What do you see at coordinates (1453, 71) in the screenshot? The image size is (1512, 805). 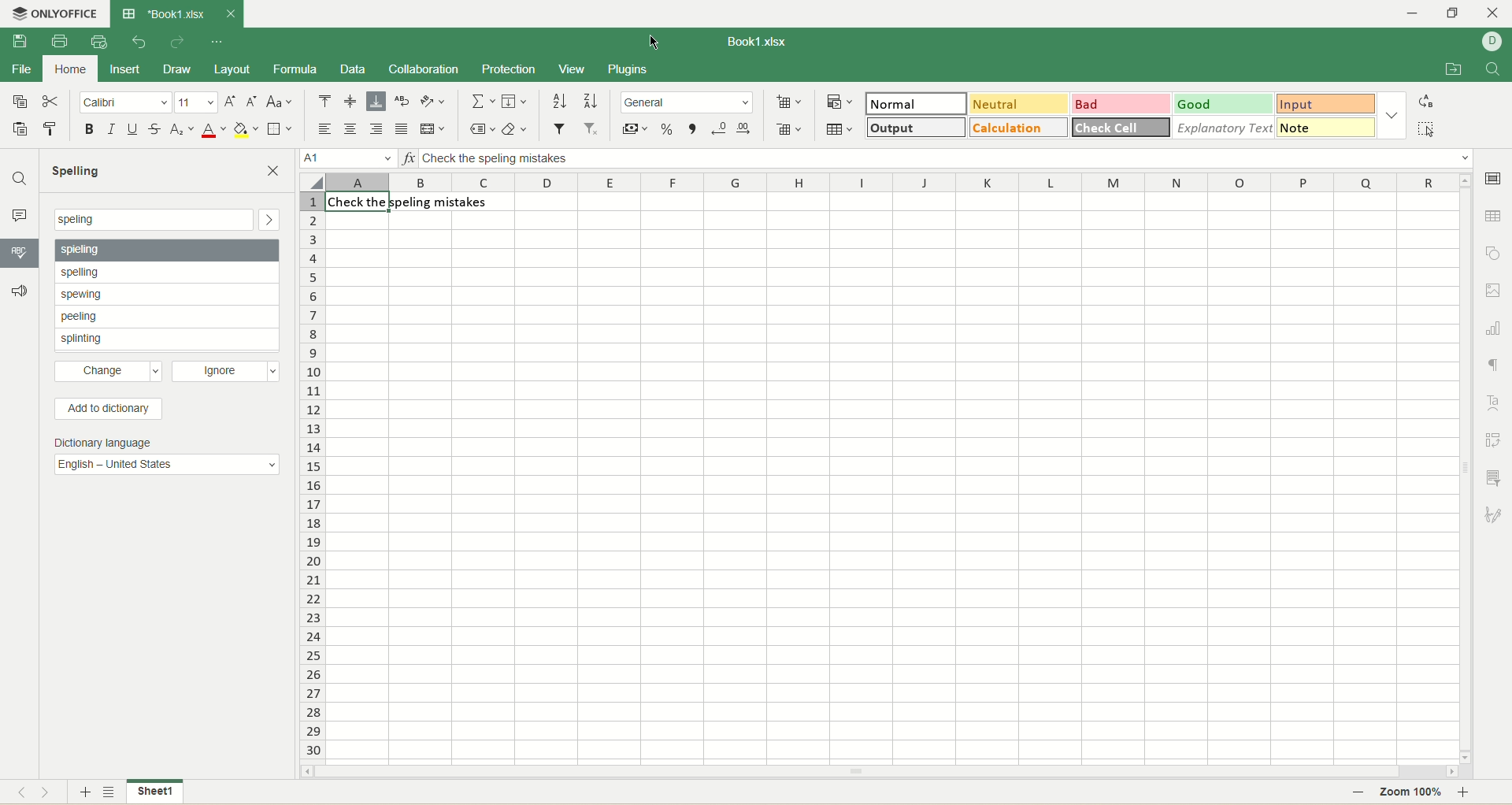 I see `open file location` at bounding box center [1453, 71].